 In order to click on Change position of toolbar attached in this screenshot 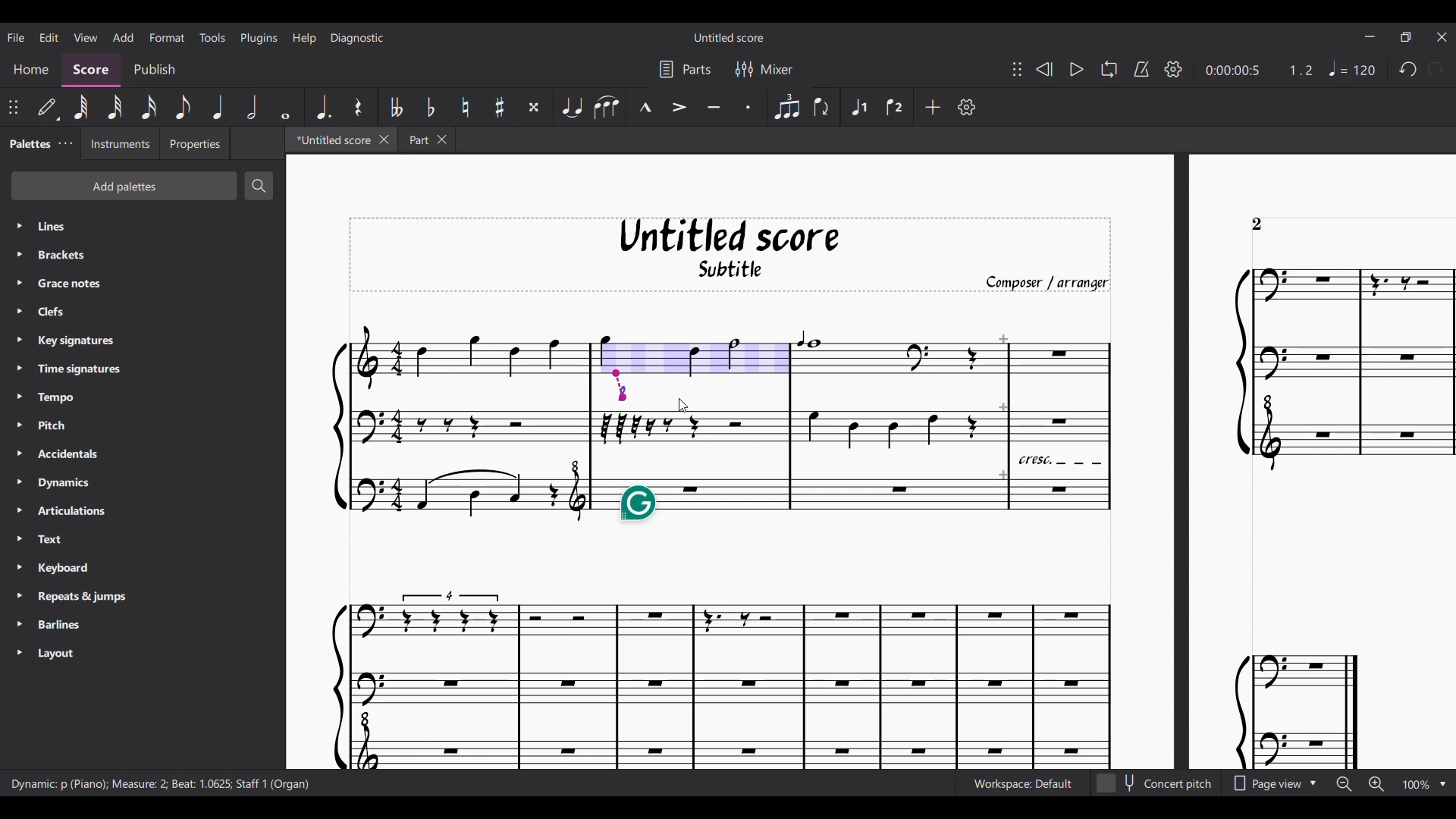, I will do `click(13, 107)`.